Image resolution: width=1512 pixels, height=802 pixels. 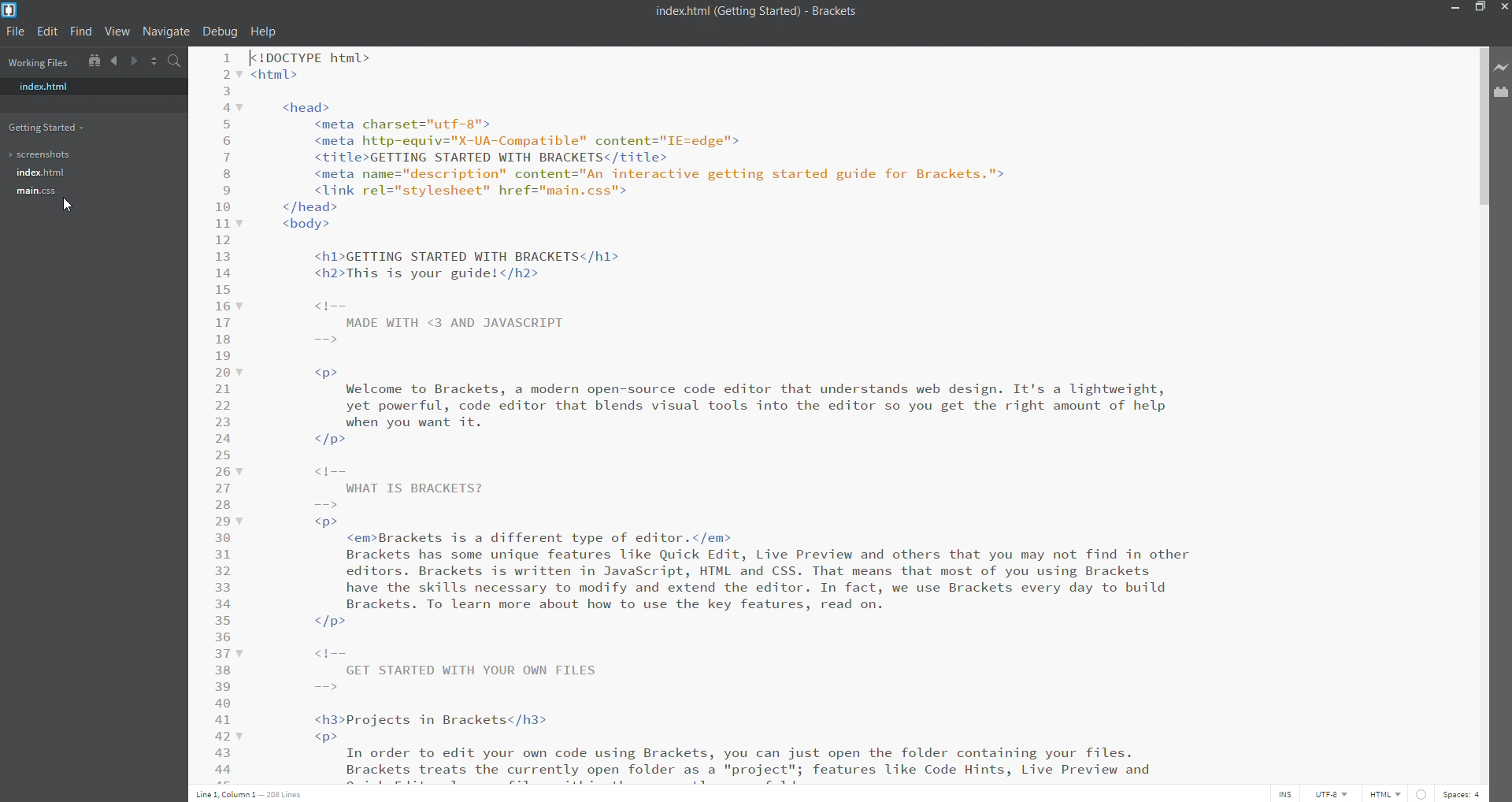 I want to click on minimize, so click(x=1451, y=9).